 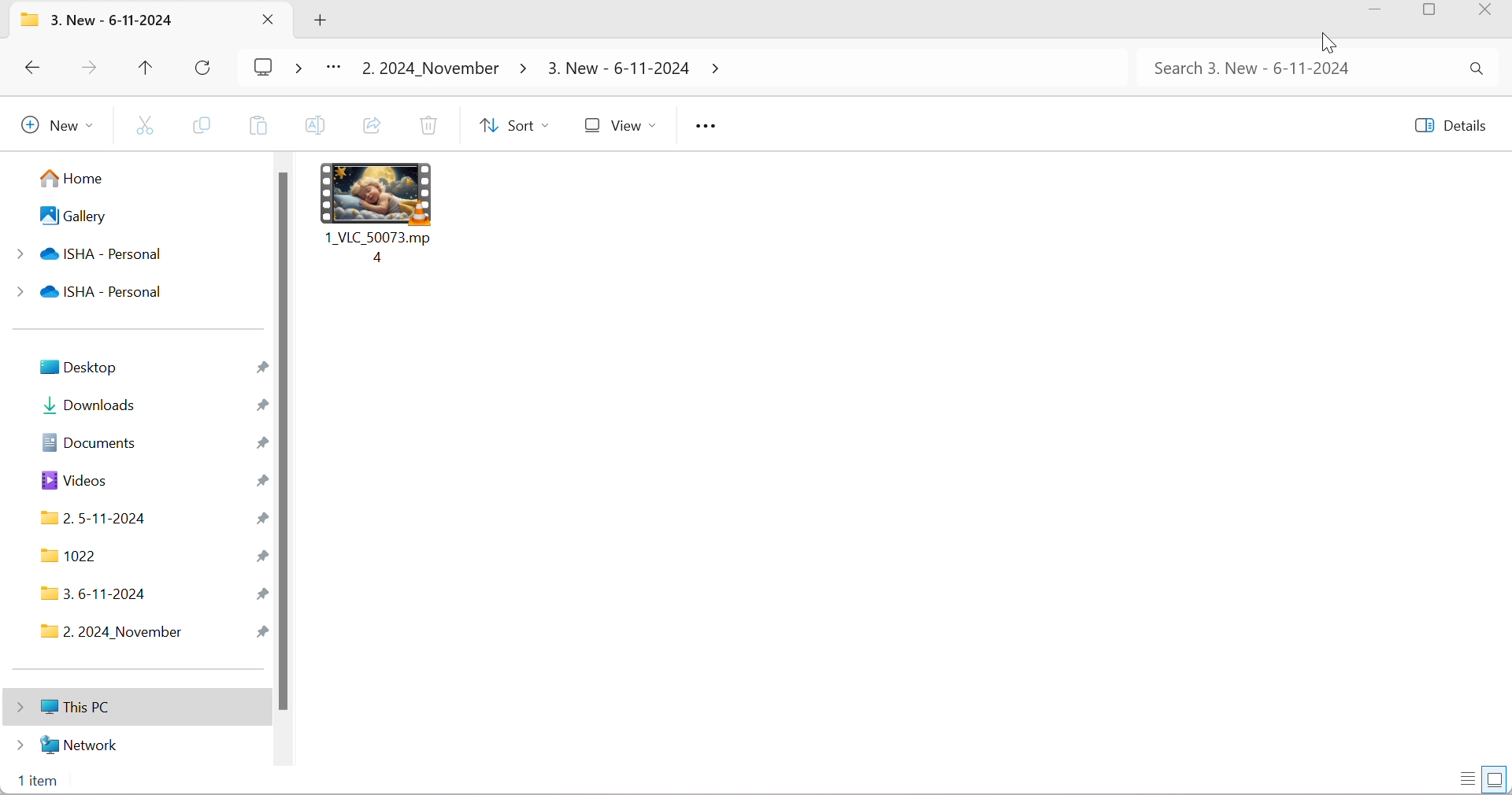 What do you see at coordinates (268, 20) in the screenshot?
I see `Close` at bounding box center [268, 20].